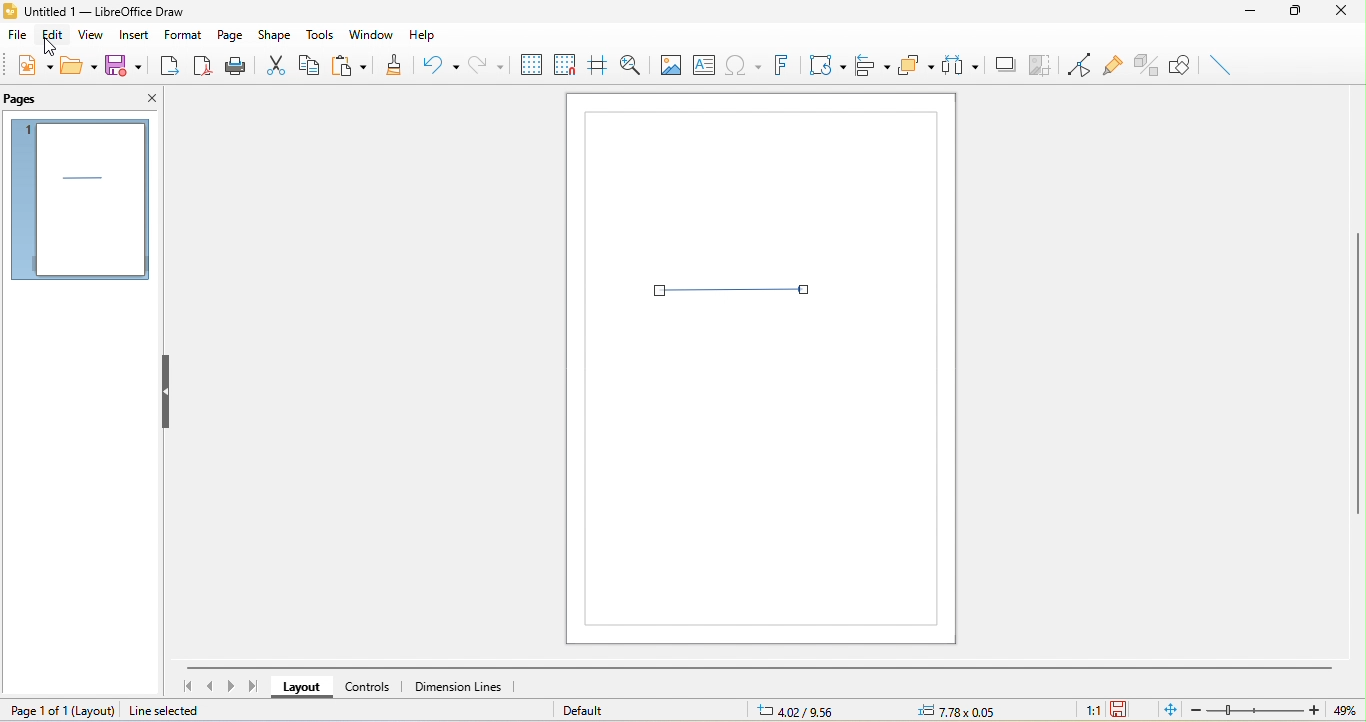 The width and height of the screenshot is (1366, 722). I want to click on insert, so click(130, 37).